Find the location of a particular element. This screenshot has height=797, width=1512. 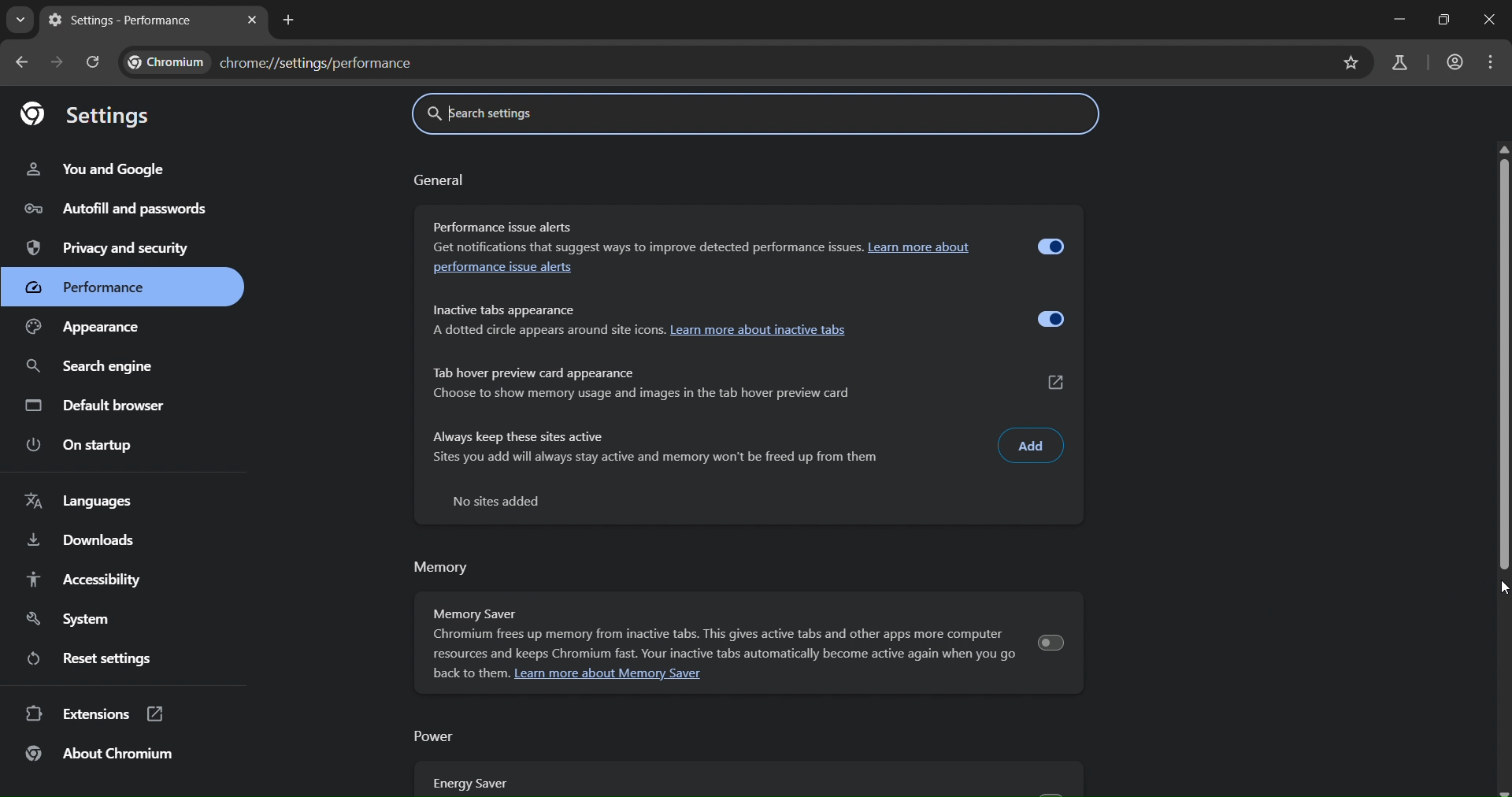

default browser is located at coordinates (99, 407).